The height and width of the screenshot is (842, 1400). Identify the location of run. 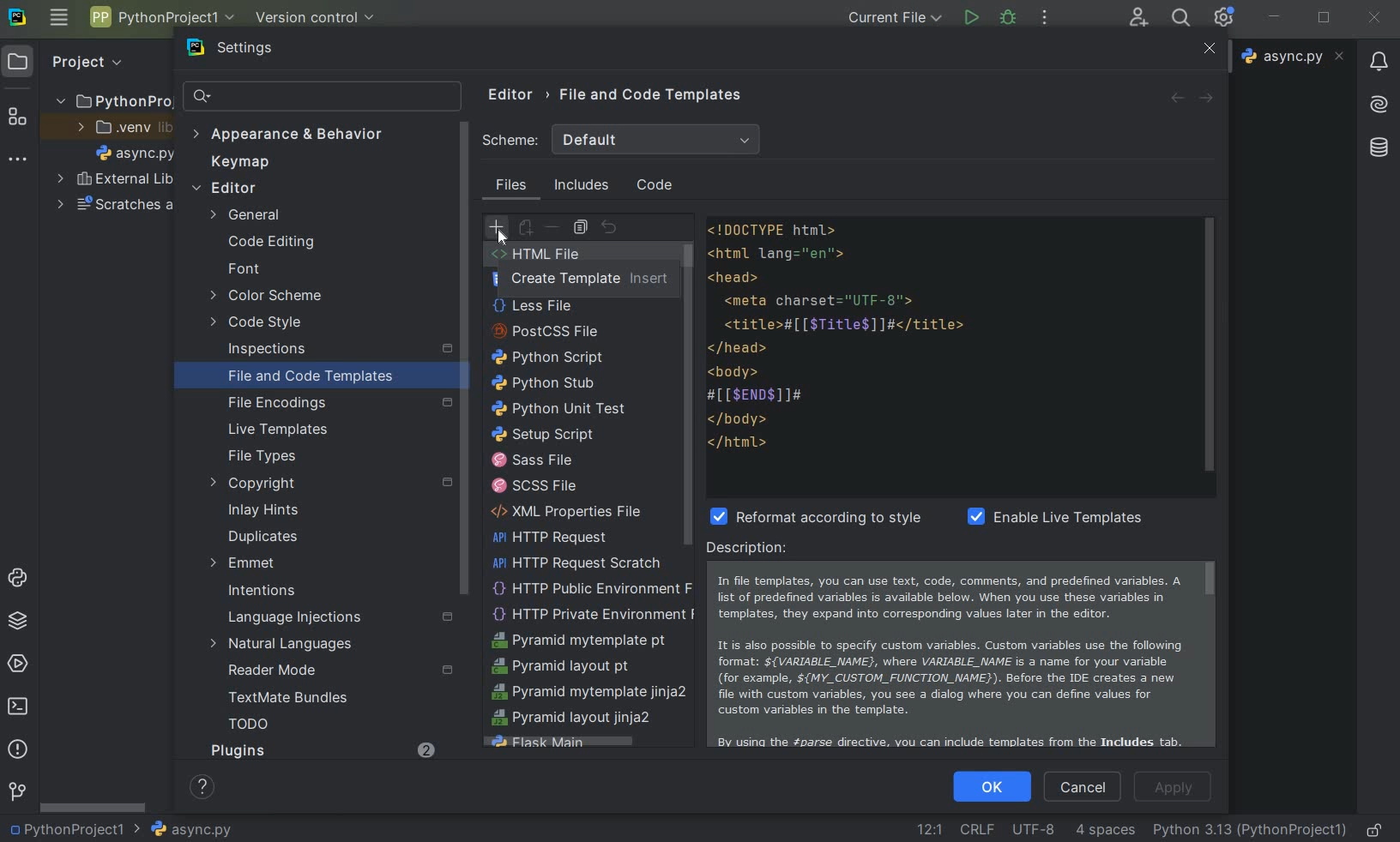
(970, 18).